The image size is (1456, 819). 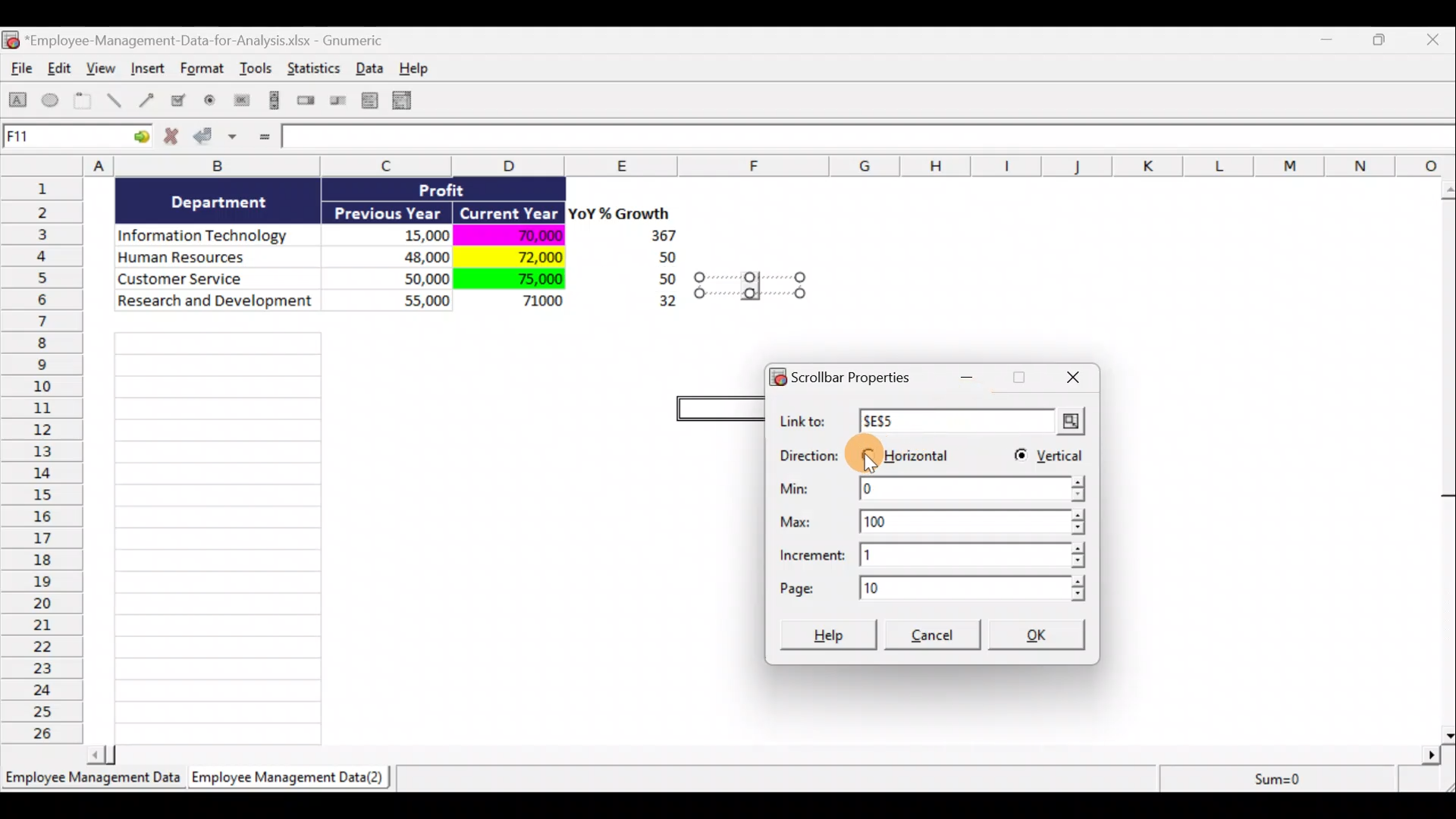 What do you see at coordinates (218, 534) in the screenshot?
I see `Cells` at bounding box center [218, 534].